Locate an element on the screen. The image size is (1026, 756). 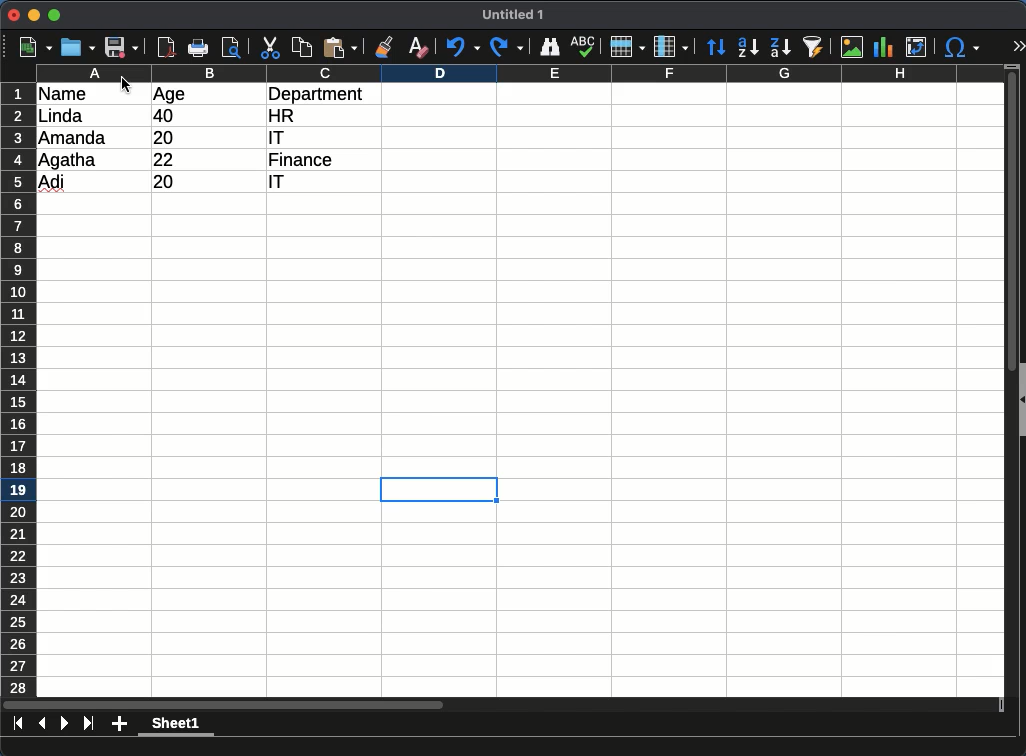
descending is located at coordinates (748, 48).